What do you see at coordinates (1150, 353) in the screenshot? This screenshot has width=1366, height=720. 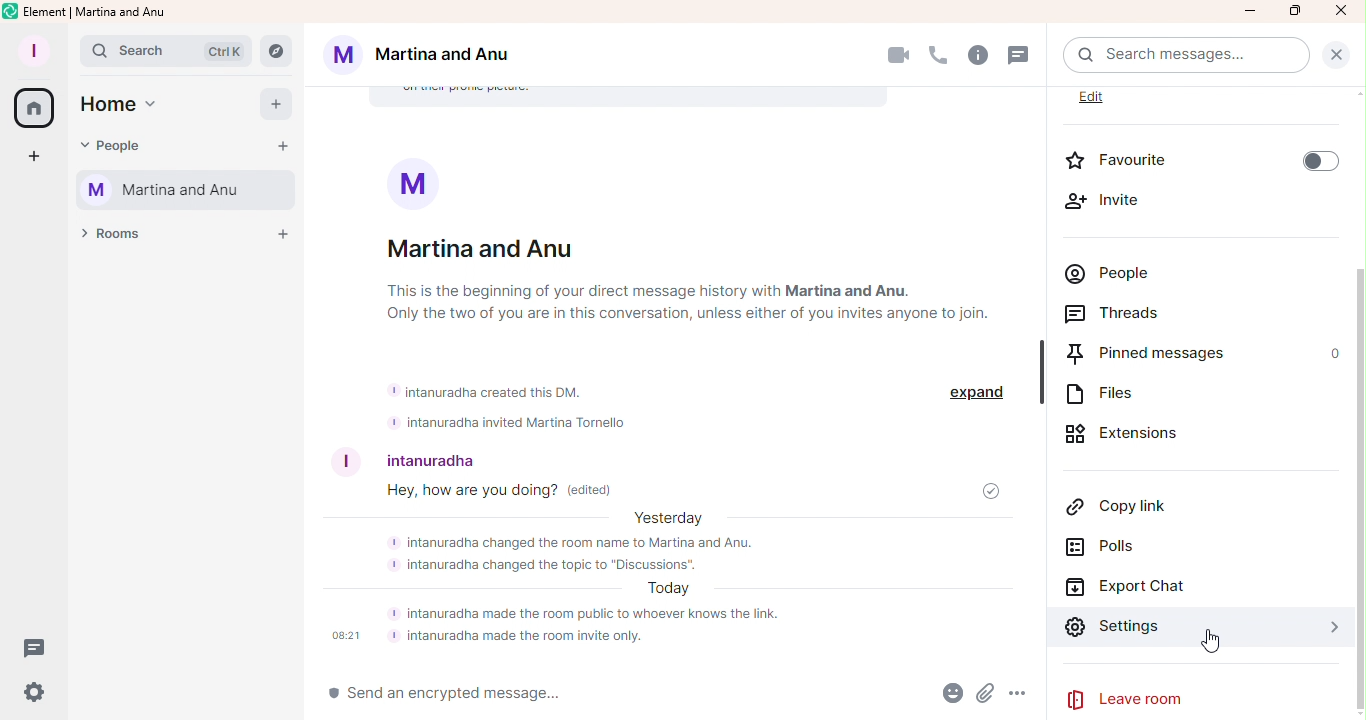 I see `Pinned messages` at bounding box center [1150, 353].